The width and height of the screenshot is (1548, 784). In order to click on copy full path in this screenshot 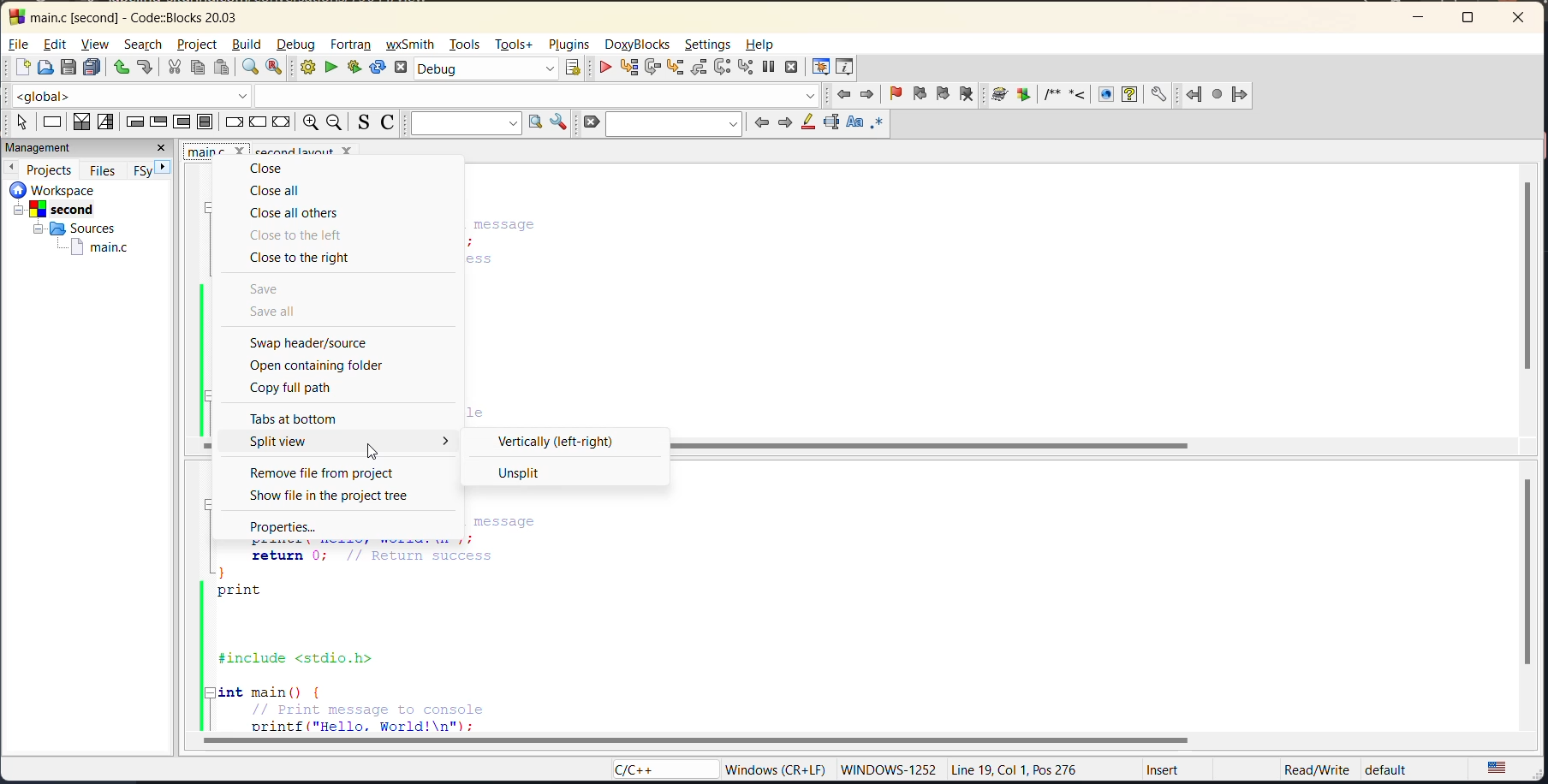, I will do `click(297, 387)`.